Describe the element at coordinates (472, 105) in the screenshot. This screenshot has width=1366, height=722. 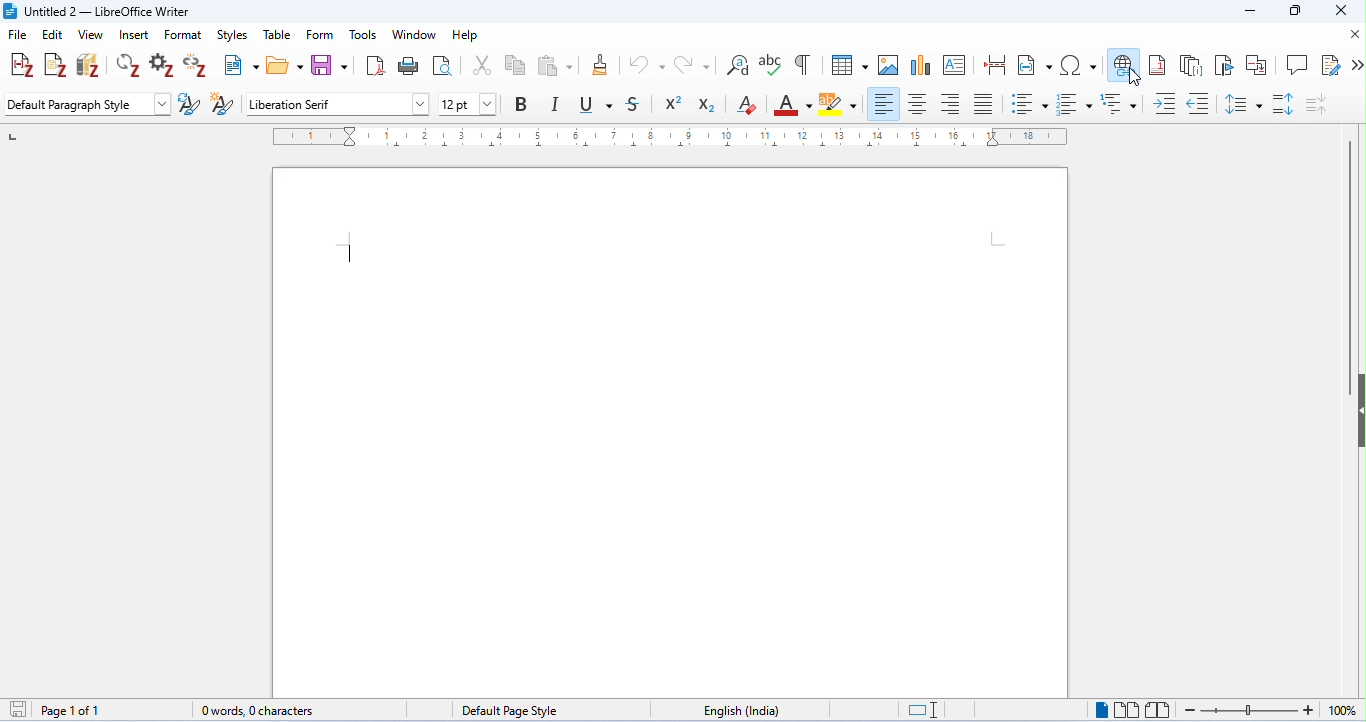
I see `font size` at that location.